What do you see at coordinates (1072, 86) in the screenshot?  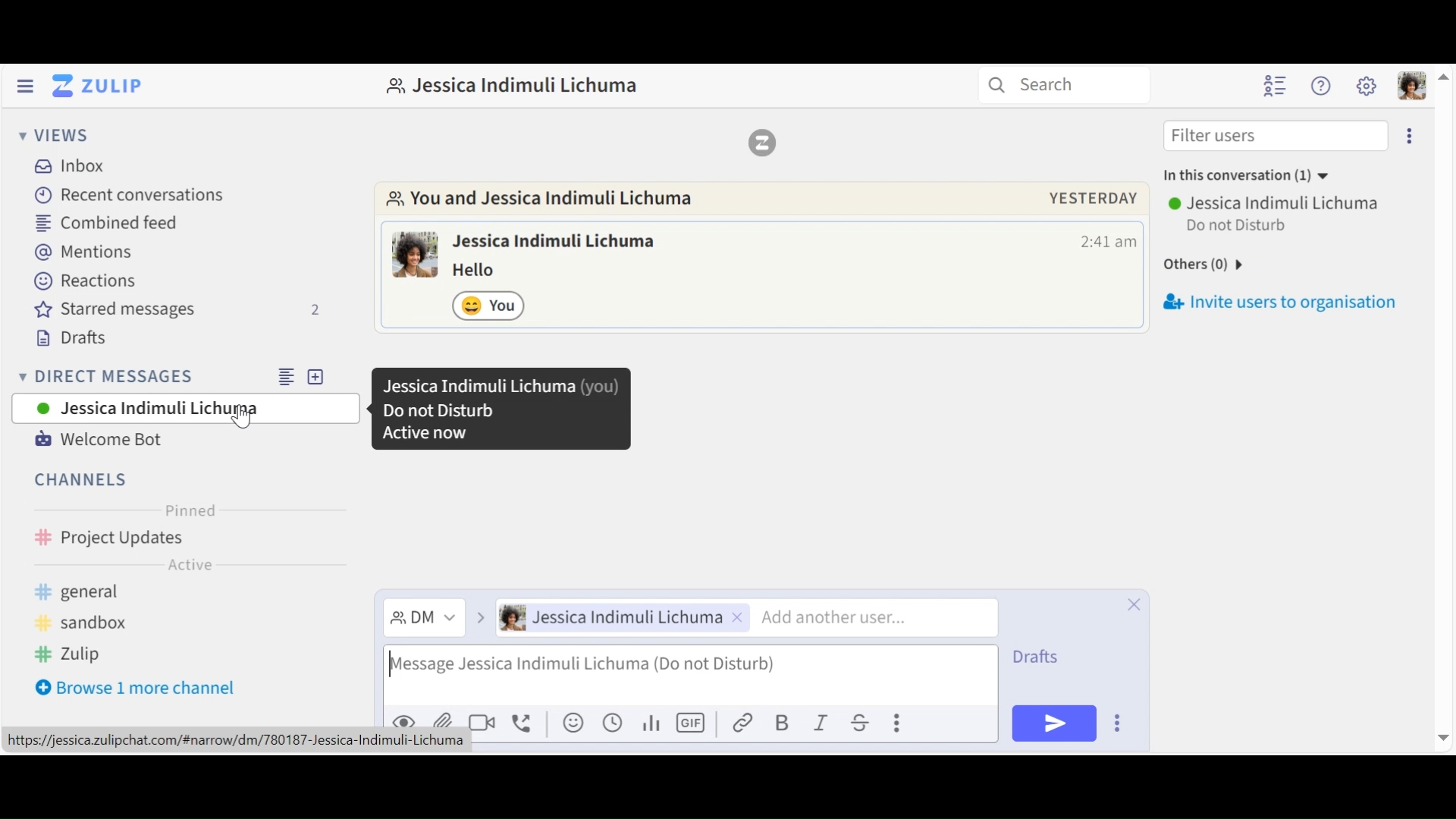 I see `Search` at bounding box center [1072, 86].